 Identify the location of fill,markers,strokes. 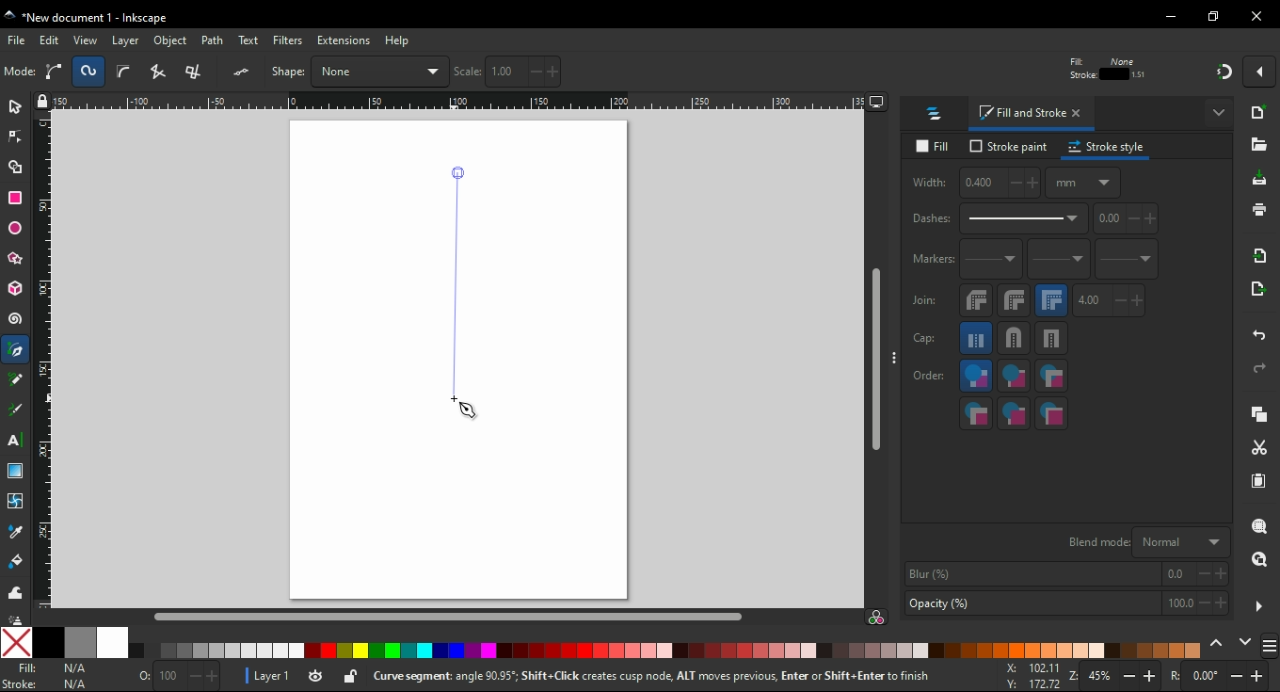
(1051, 376).